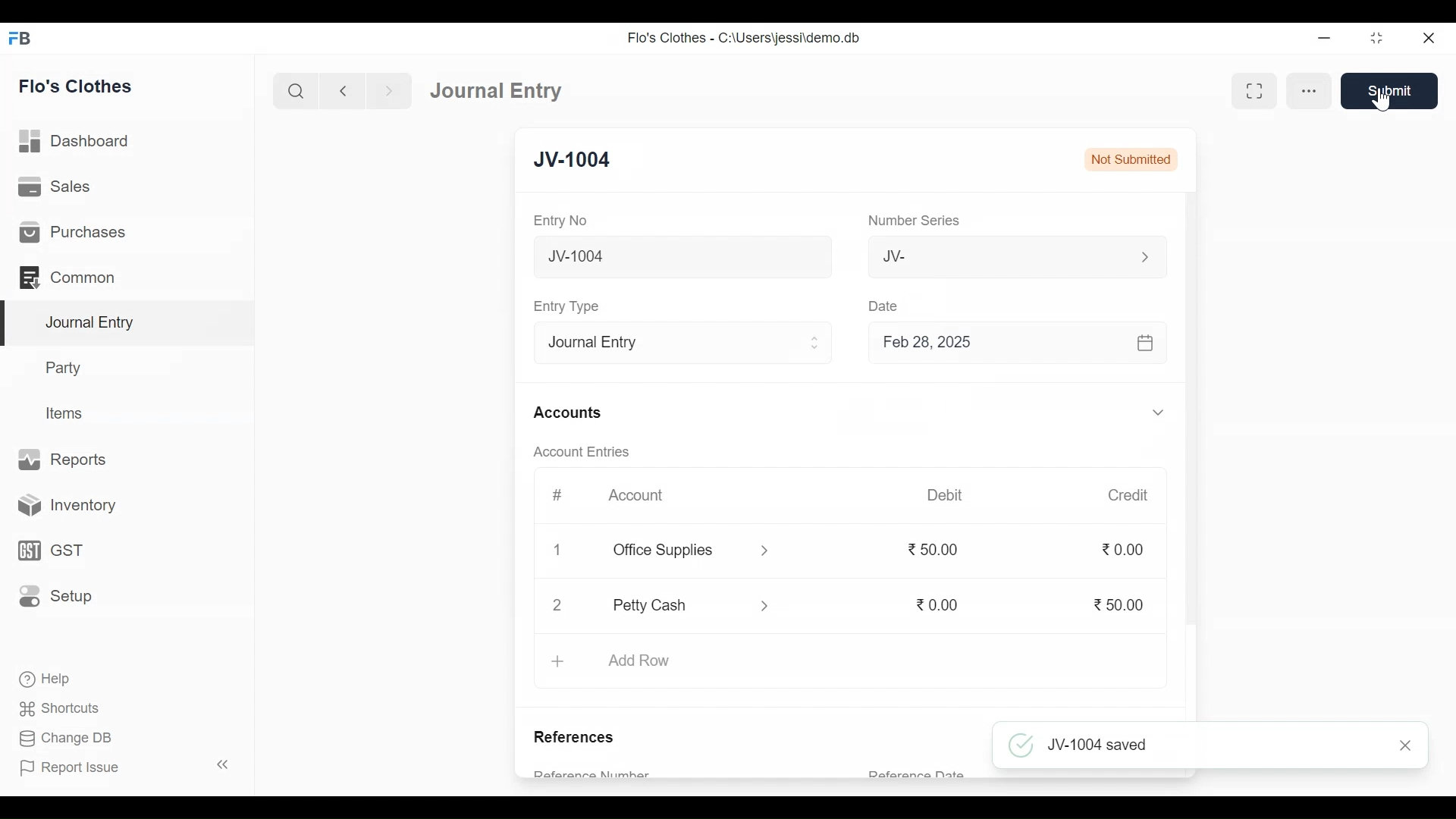 This screenshot has height=819, width=1456. I want to click on Expand, so click(767, 605).